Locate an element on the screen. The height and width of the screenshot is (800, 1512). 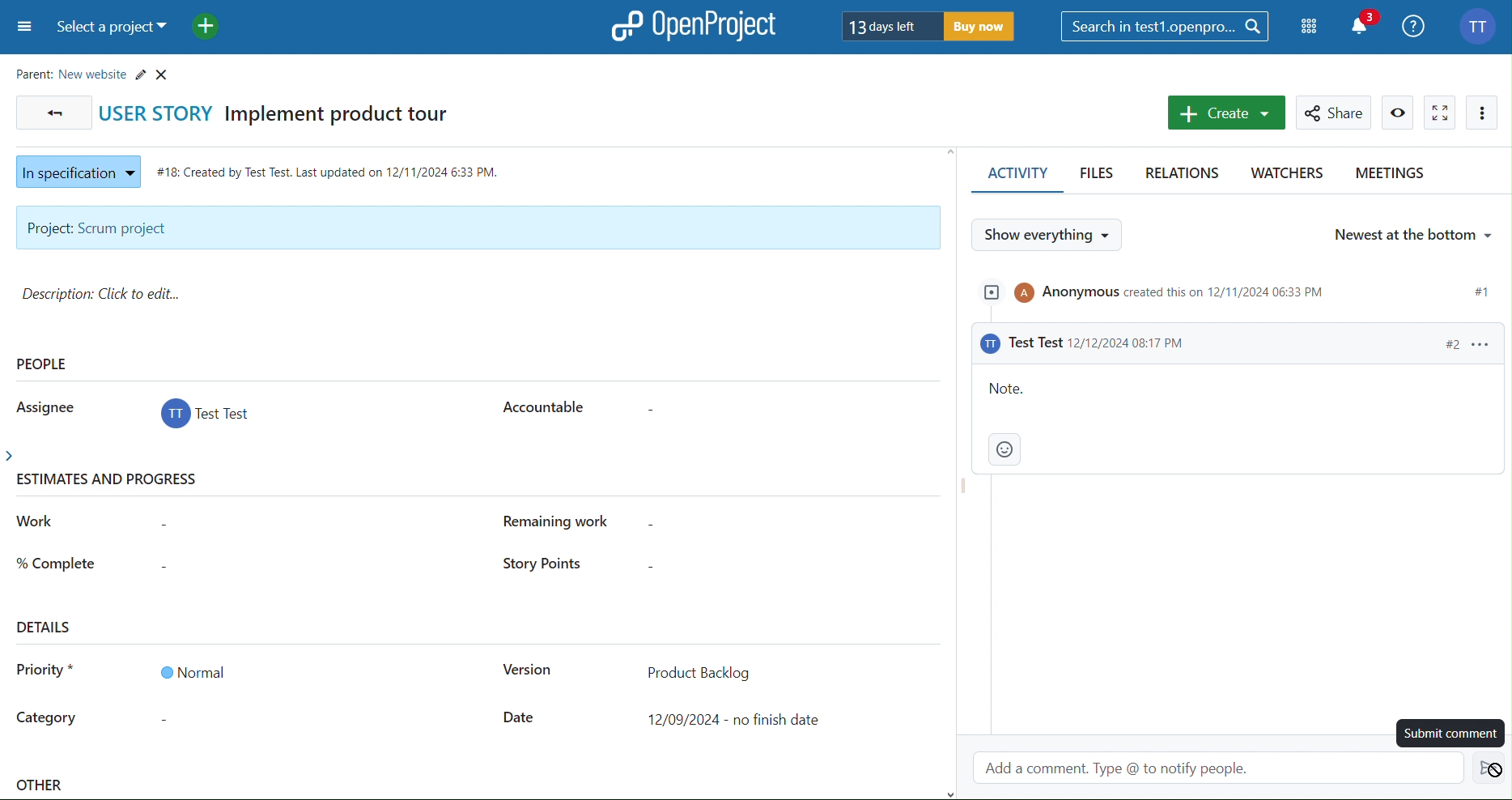
Other is located at coordinates (42, 787).